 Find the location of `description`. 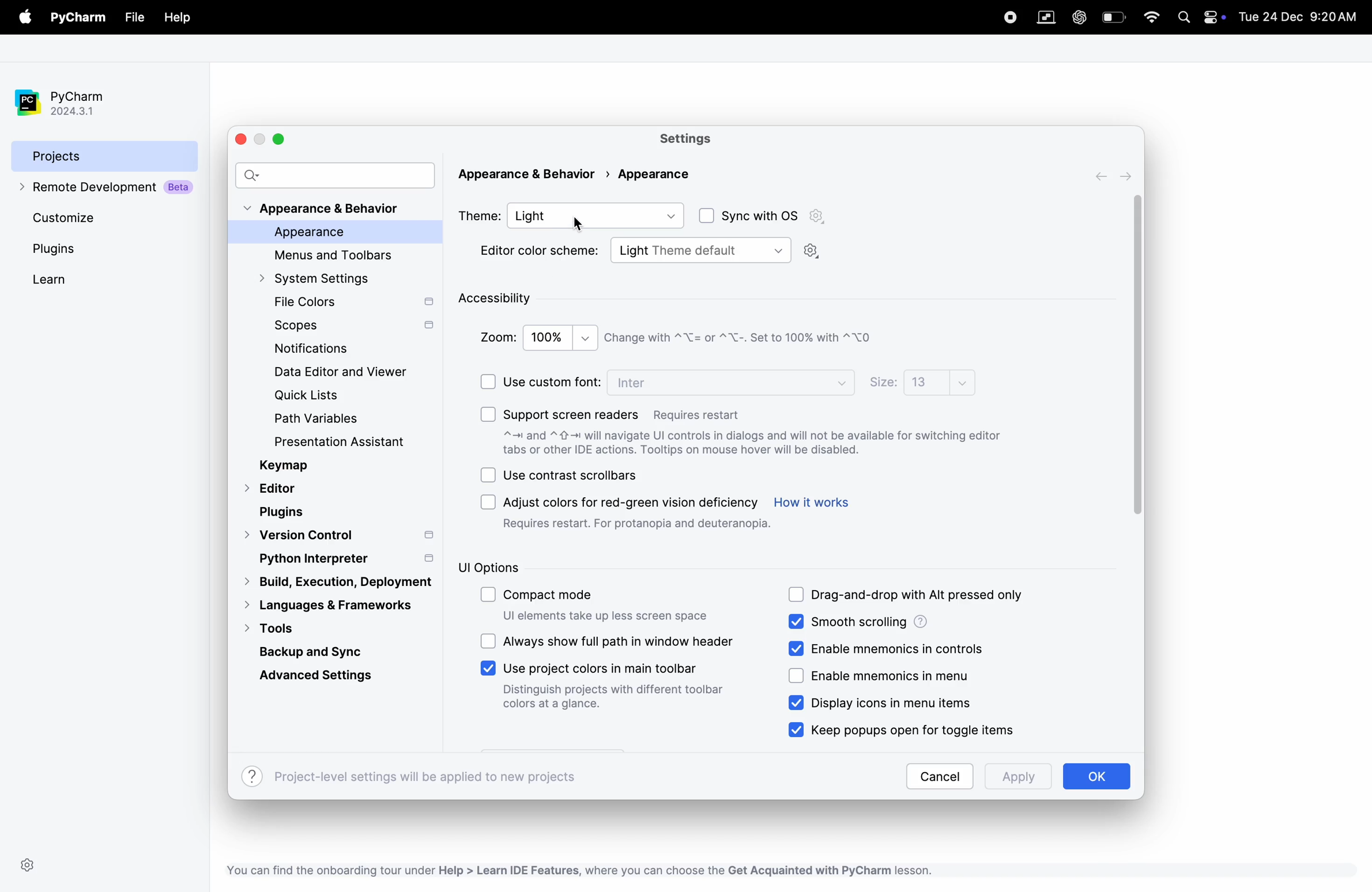

description is located at coordinates (754, 445).